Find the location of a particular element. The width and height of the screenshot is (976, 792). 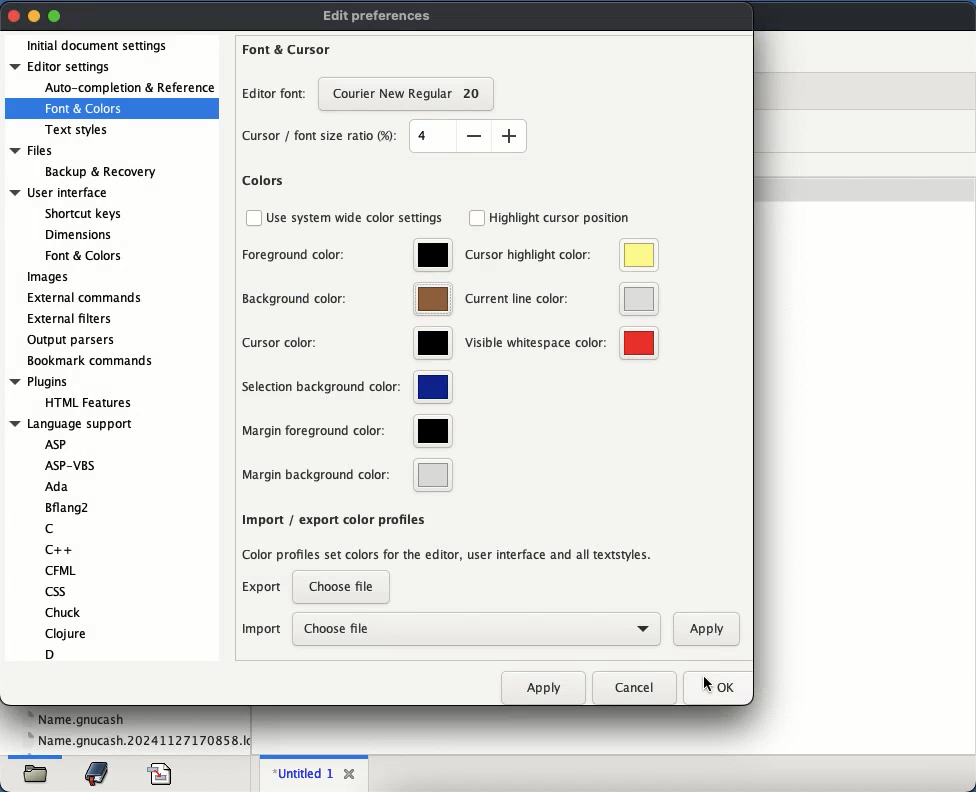

Backup & Recovery is located at coordinates (100, 171).